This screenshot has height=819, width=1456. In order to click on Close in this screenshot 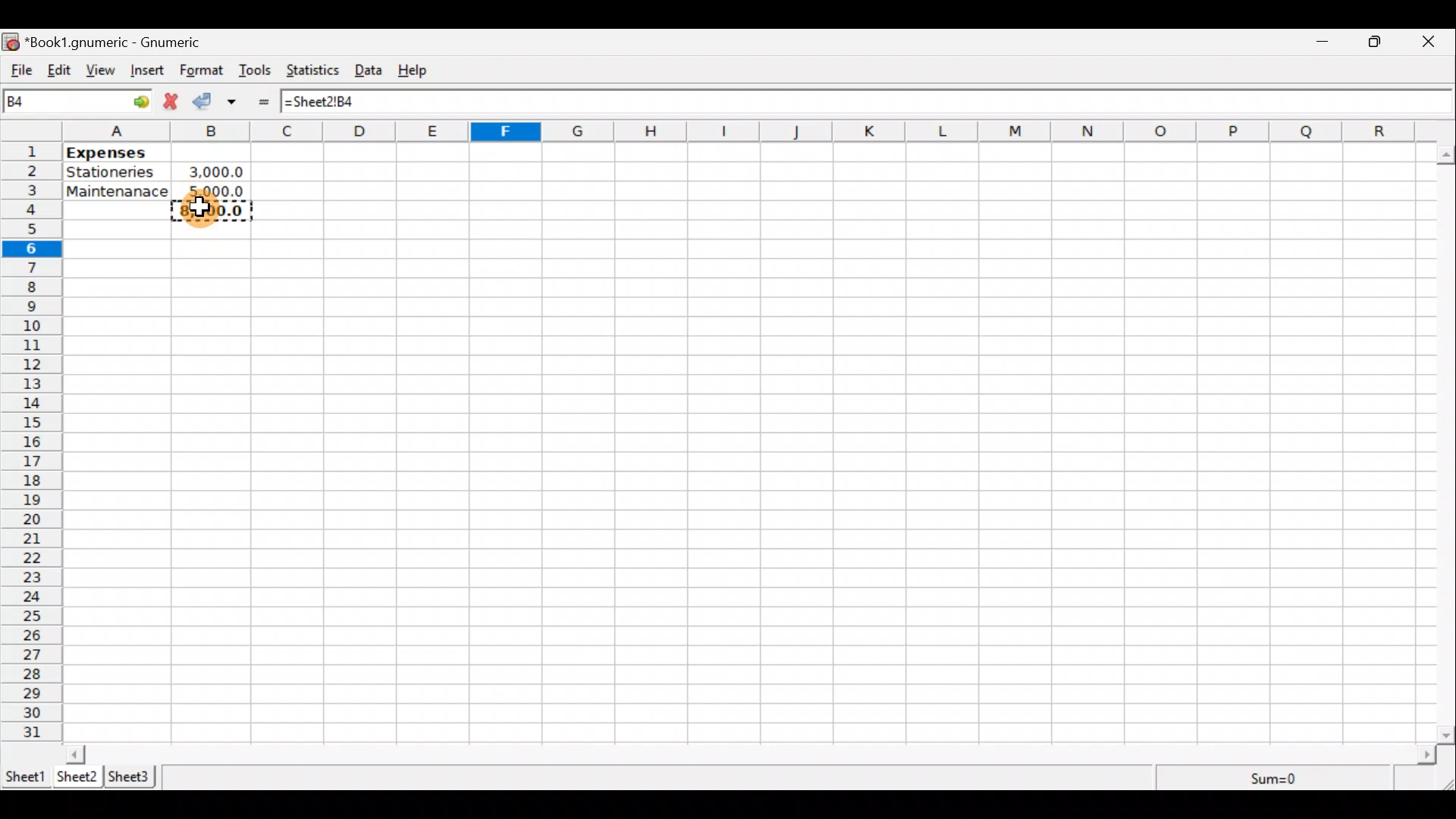, I will do `click(1435, 42)`.